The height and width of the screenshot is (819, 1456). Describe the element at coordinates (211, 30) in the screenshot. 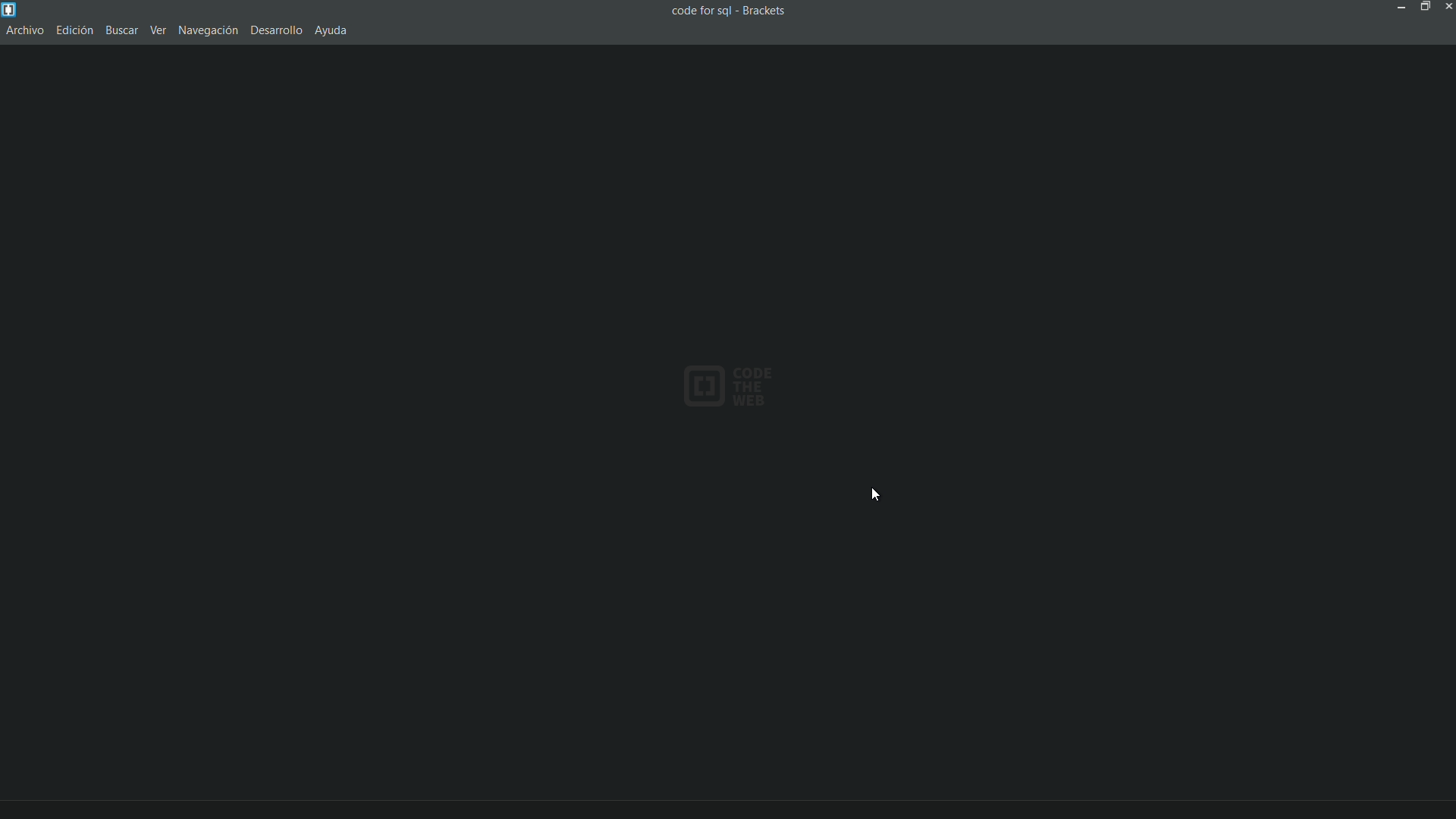

I see `Navegacion` at that location.